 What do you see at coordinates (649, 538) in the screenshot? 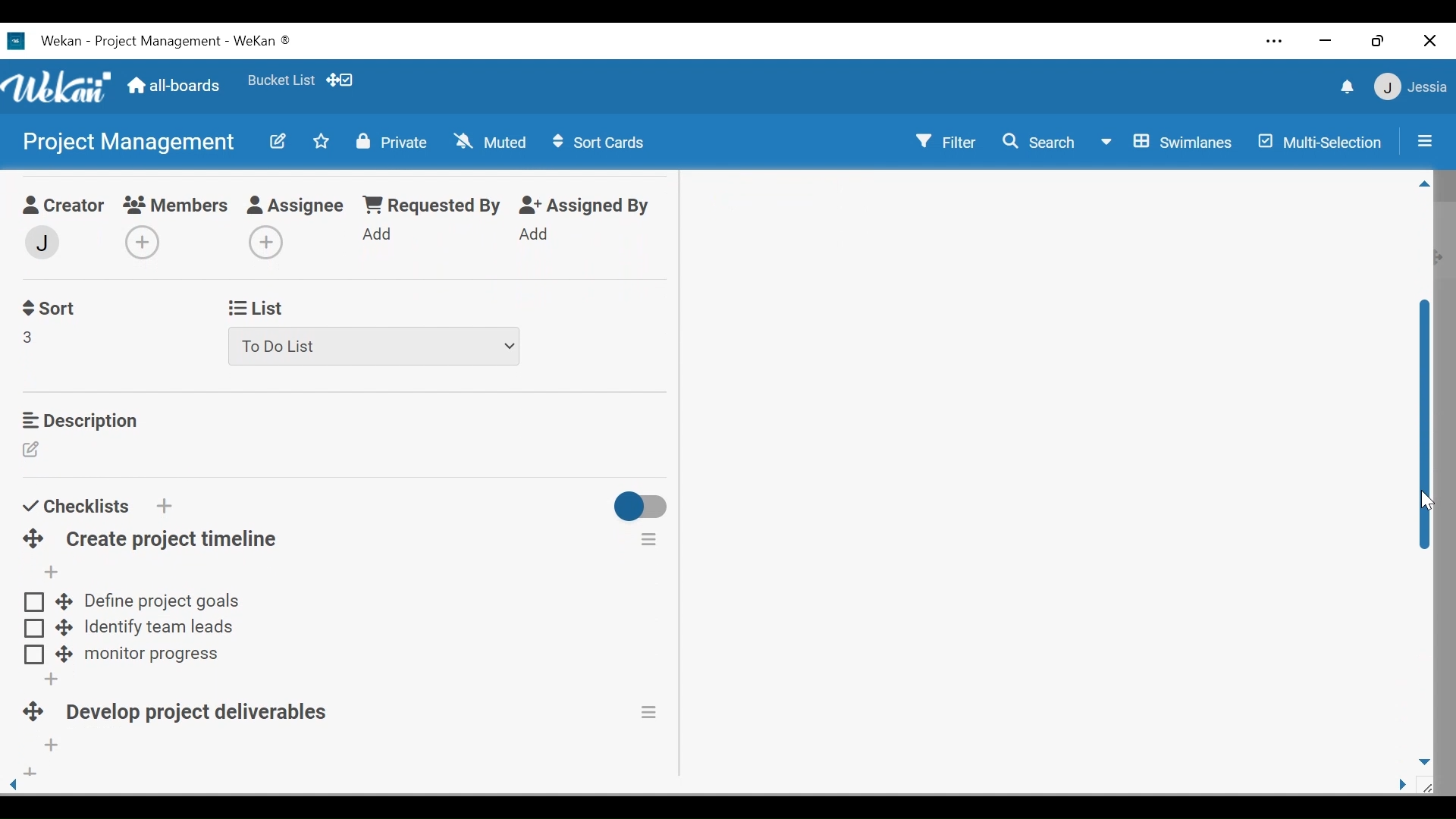
I see `checklist actions` at bounding box center [649, 538].